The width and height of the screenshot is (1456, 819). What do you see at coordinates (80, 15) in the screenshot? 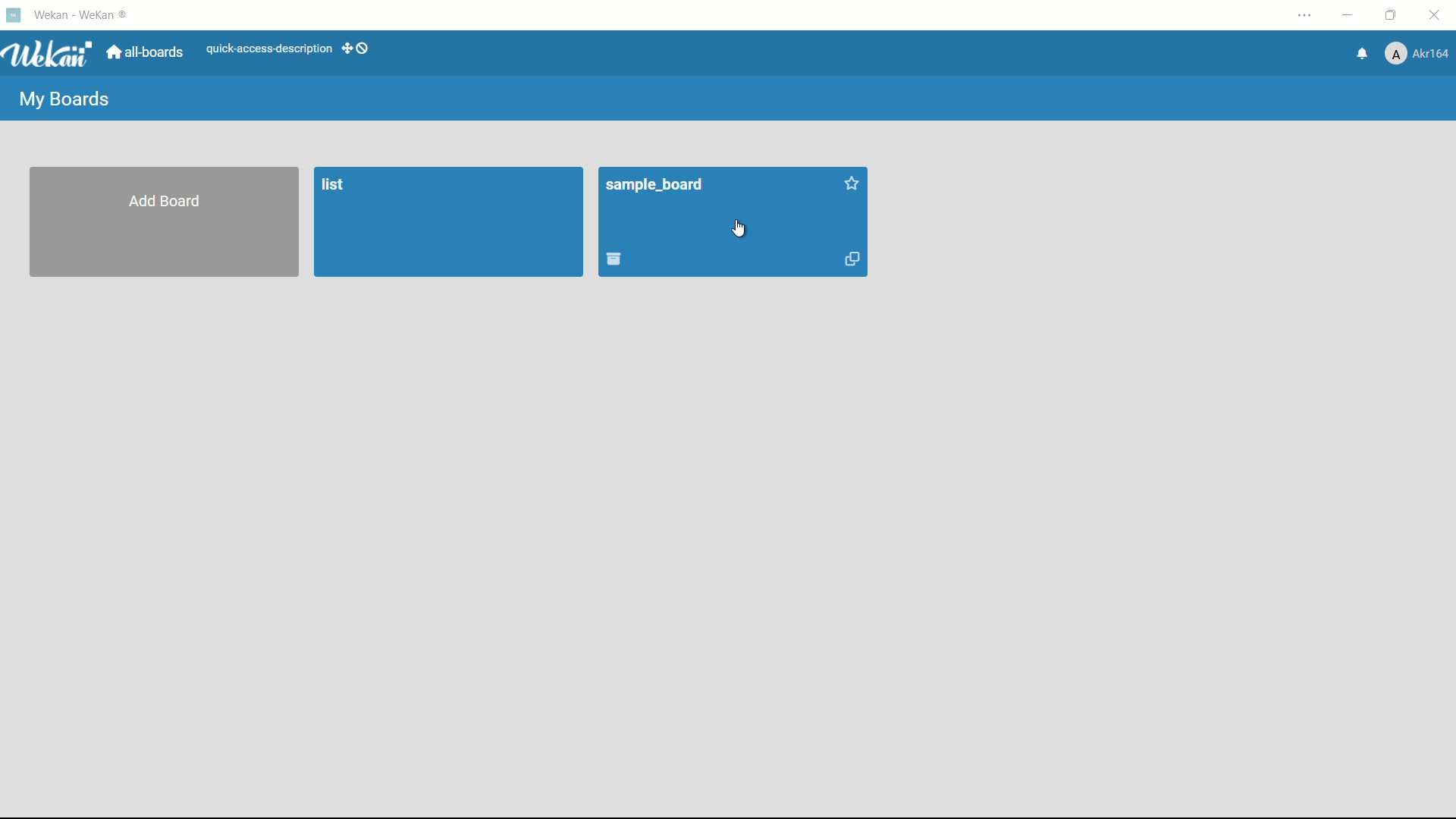
I see `app name` at bounding box center [80, 15].